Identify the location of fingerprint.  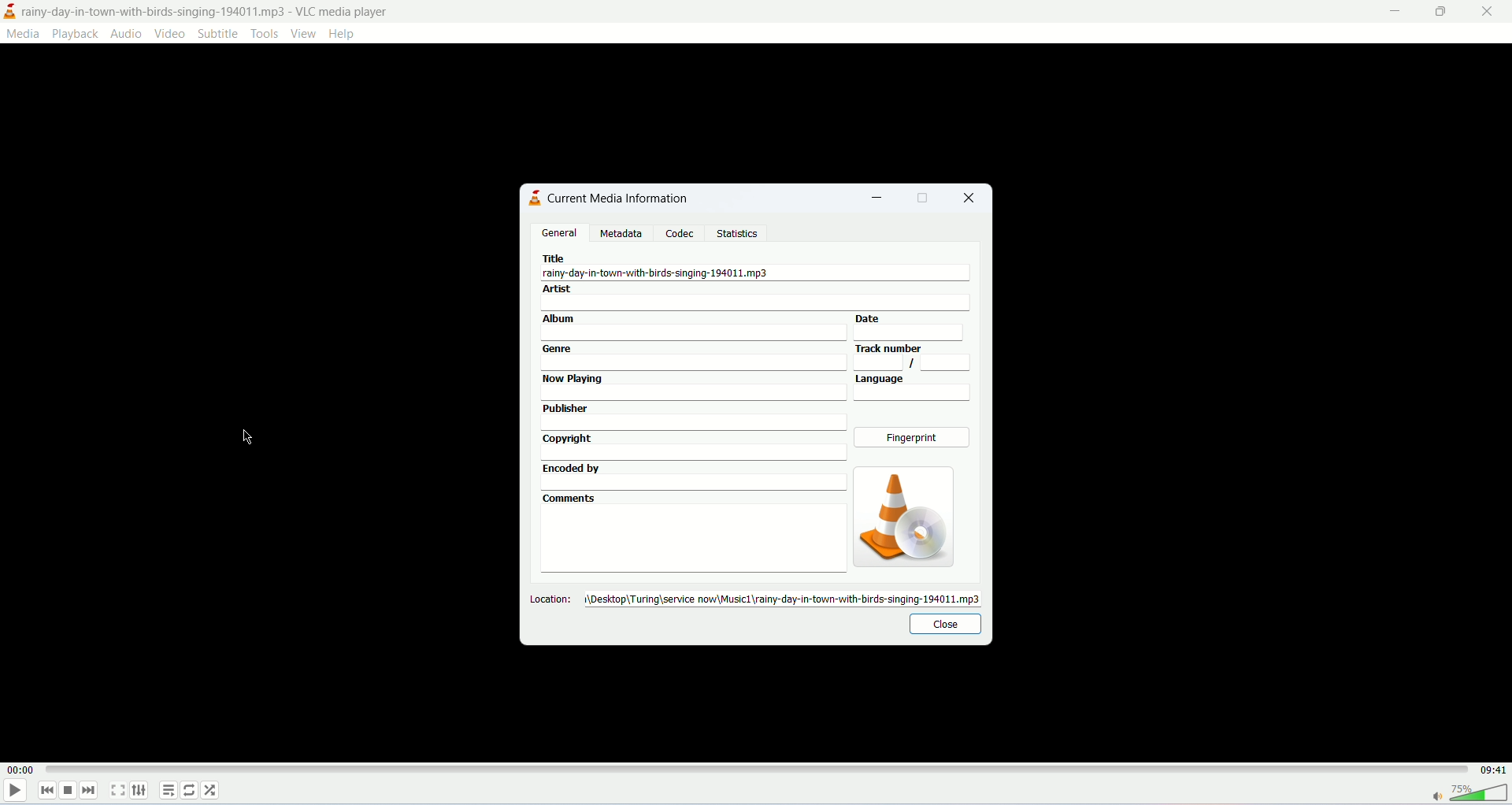
(913, 437).